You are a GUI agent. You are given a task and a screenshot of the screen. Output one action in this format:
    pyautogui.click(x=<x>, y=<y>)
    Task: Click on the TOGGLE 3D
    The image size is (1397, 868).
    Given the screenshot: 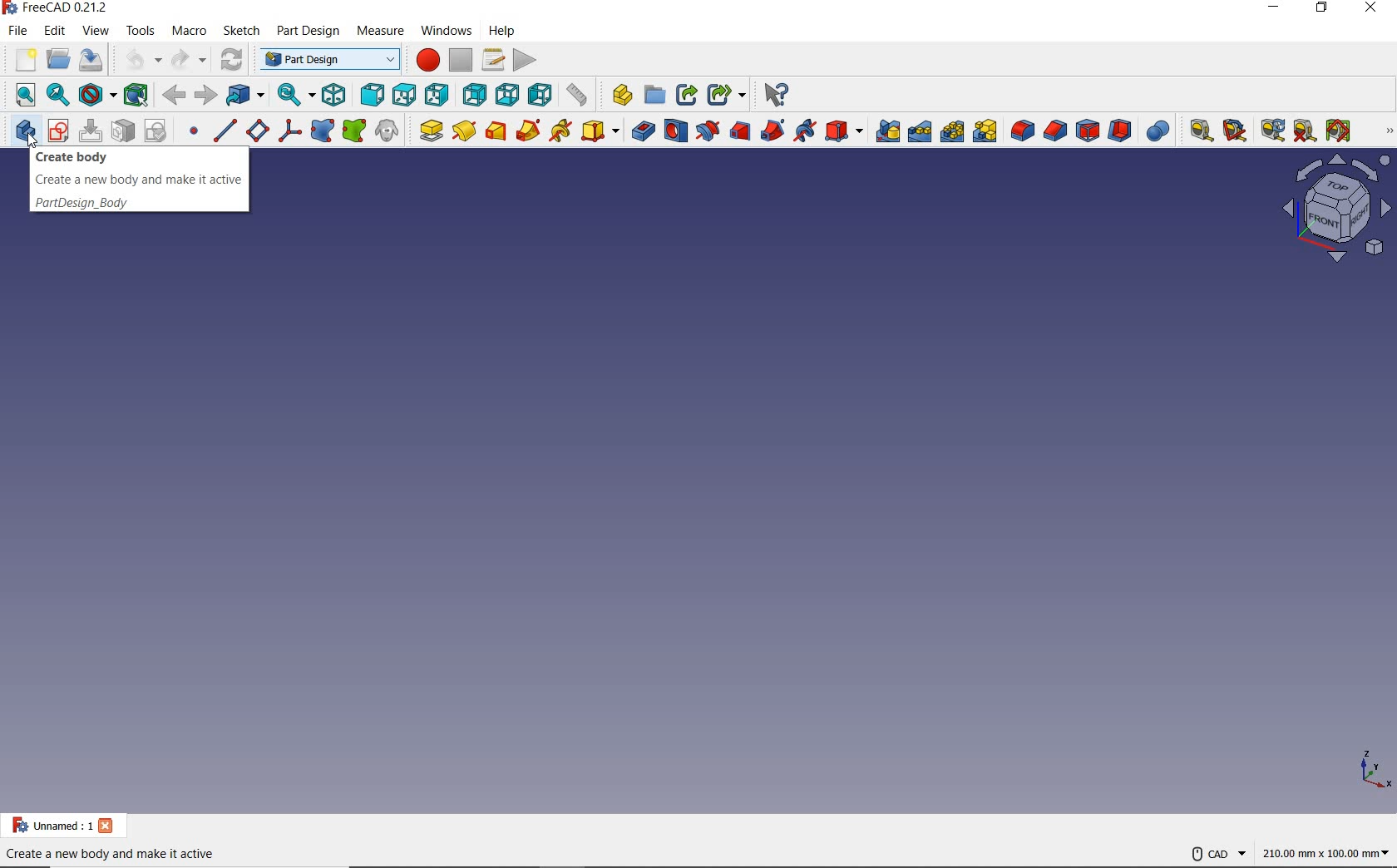 What is the action you would take?
    pyautogui.click(x=1305, y=130)
    